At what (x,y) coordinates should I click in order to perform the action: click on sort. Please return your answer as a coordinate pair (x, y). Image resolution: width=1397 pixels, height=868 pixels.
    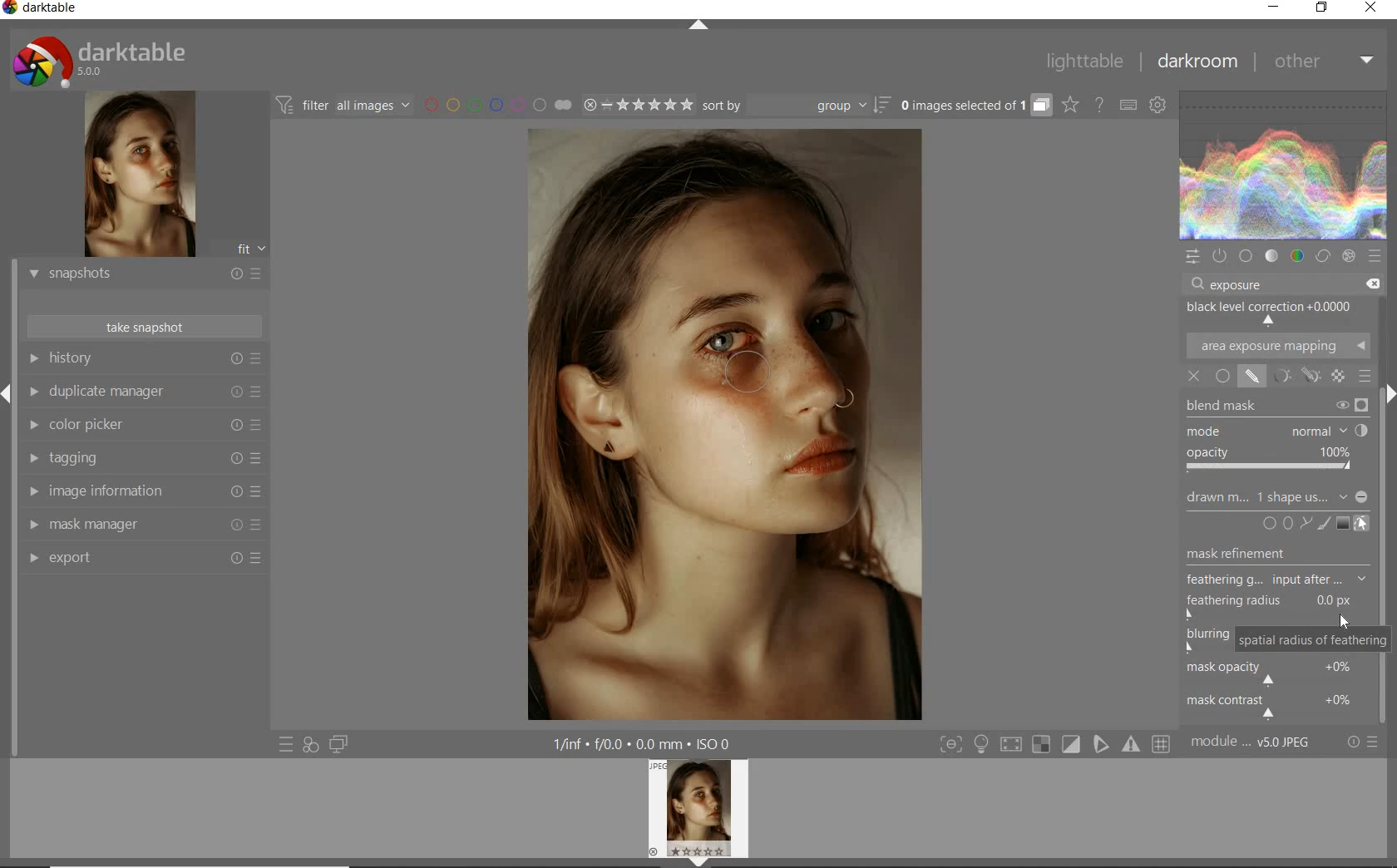
    Looking at the image, I should click on (797, 105).